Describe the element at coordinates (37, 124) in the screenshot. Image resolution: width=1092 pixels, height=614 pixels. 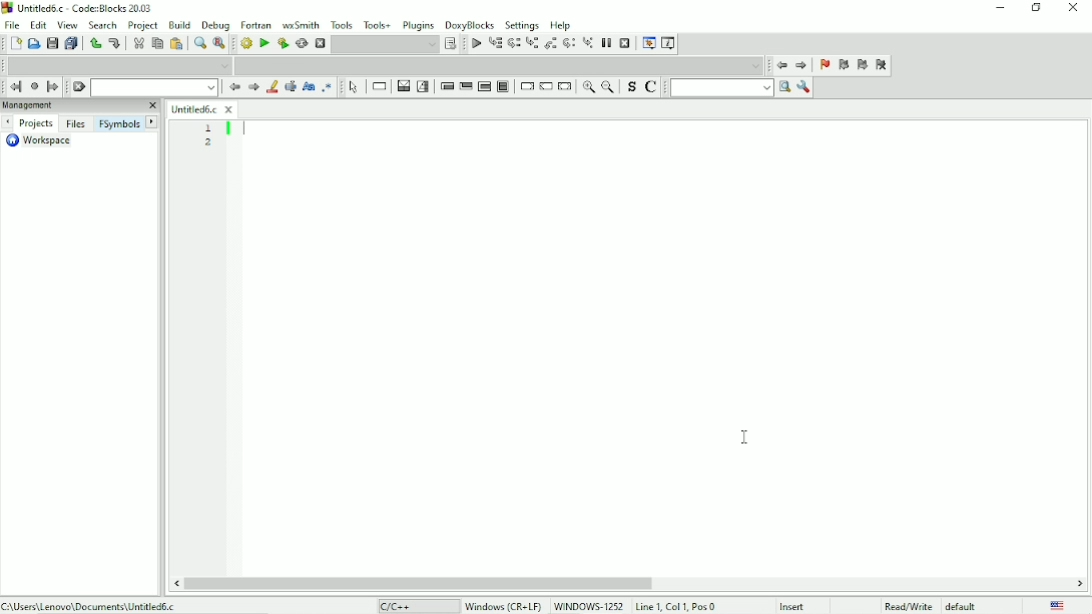
I see `Projects` at that location.